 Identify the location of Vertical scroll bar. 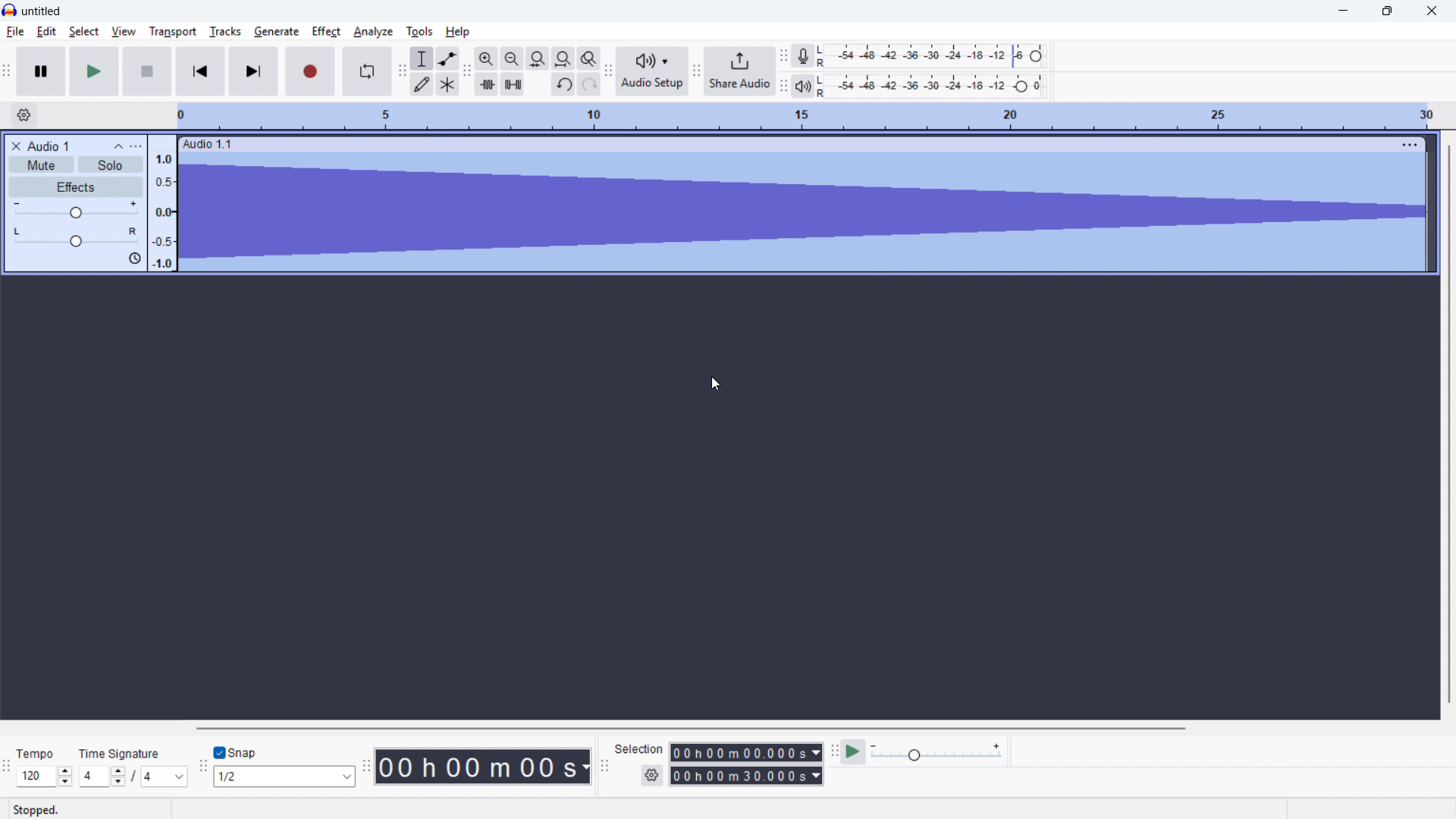
(1450, 424).